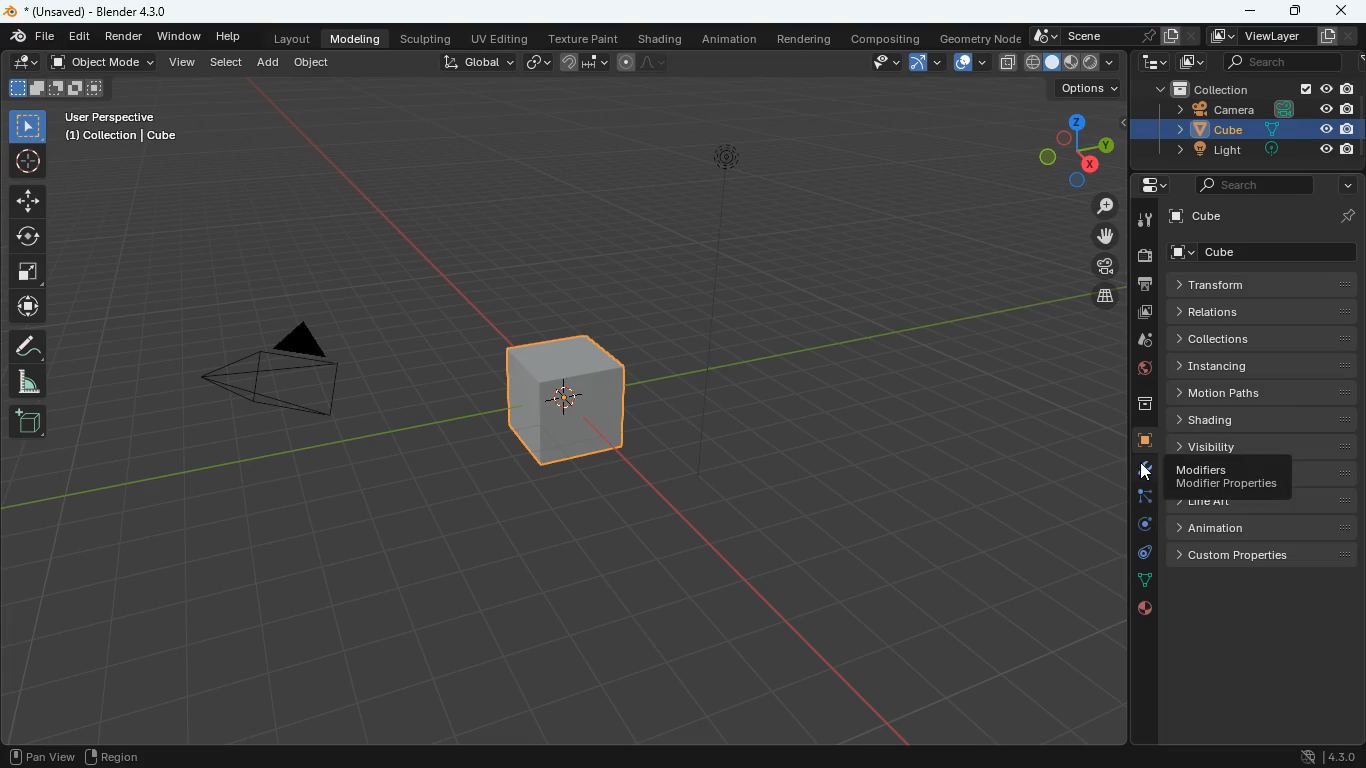  I want to click on fullscreen, so click(63, 88).